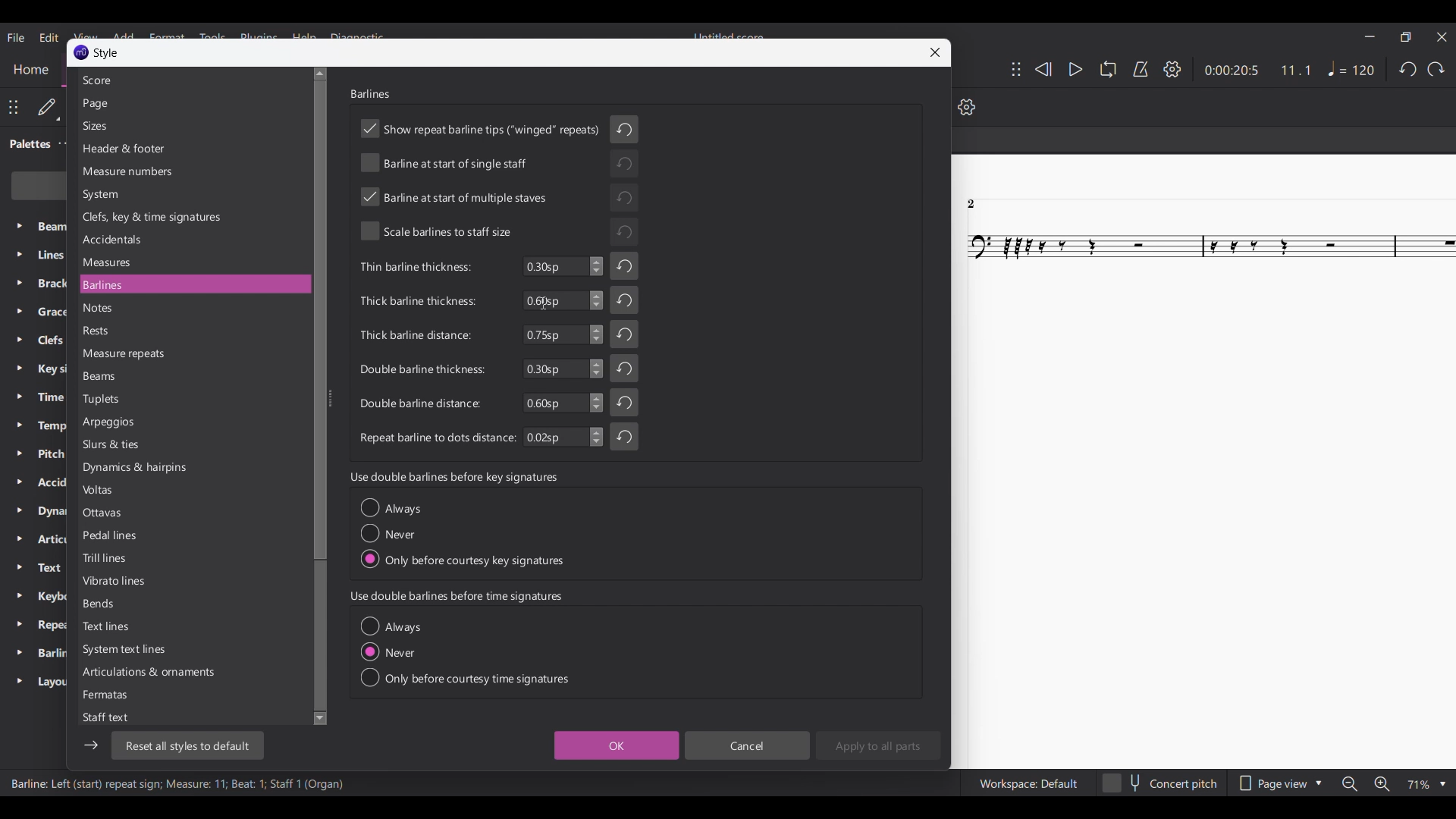  I want to click on Current selection highlighted, so click(264, 284).